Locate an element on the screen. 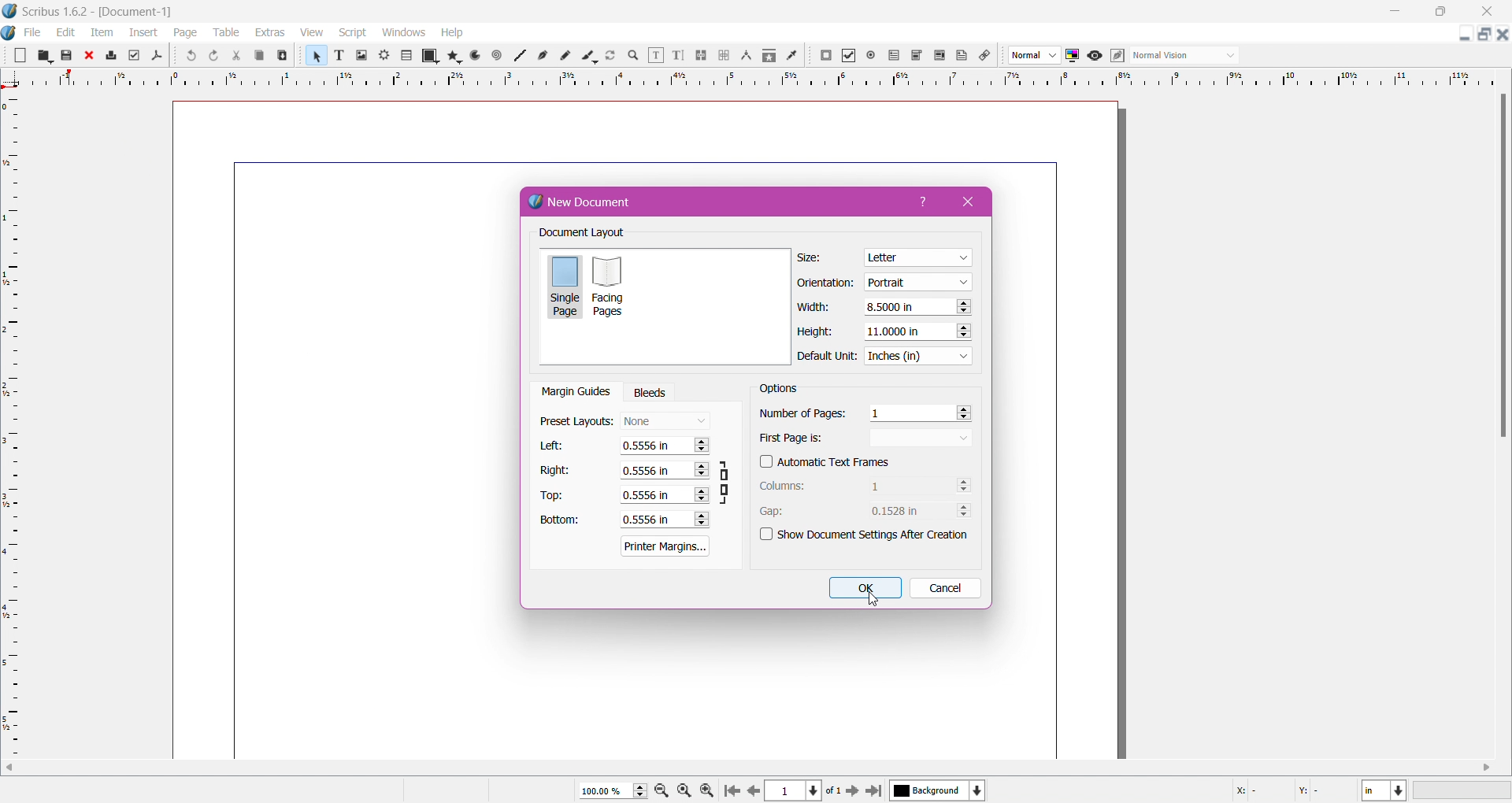 The image size is (1512, 803). single page is located at coordinates (565, 288).